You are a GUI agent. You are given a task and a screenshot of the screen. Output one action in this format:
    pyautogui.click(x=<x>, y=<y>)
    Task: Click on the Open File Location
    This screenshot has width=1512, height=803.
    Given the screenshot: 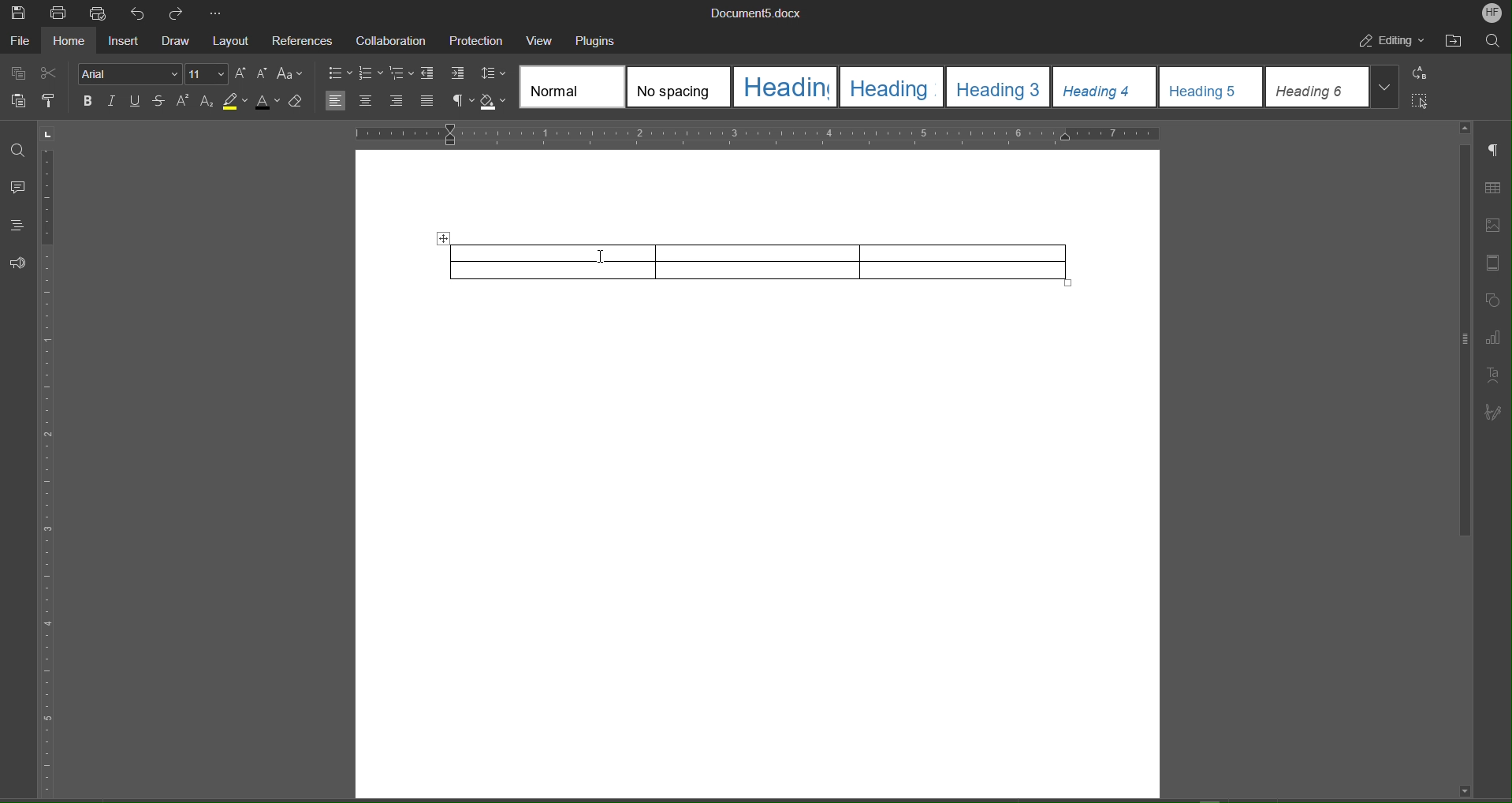 What is the action you would take?
    pyautogui.click(x=1456, y=42)
    